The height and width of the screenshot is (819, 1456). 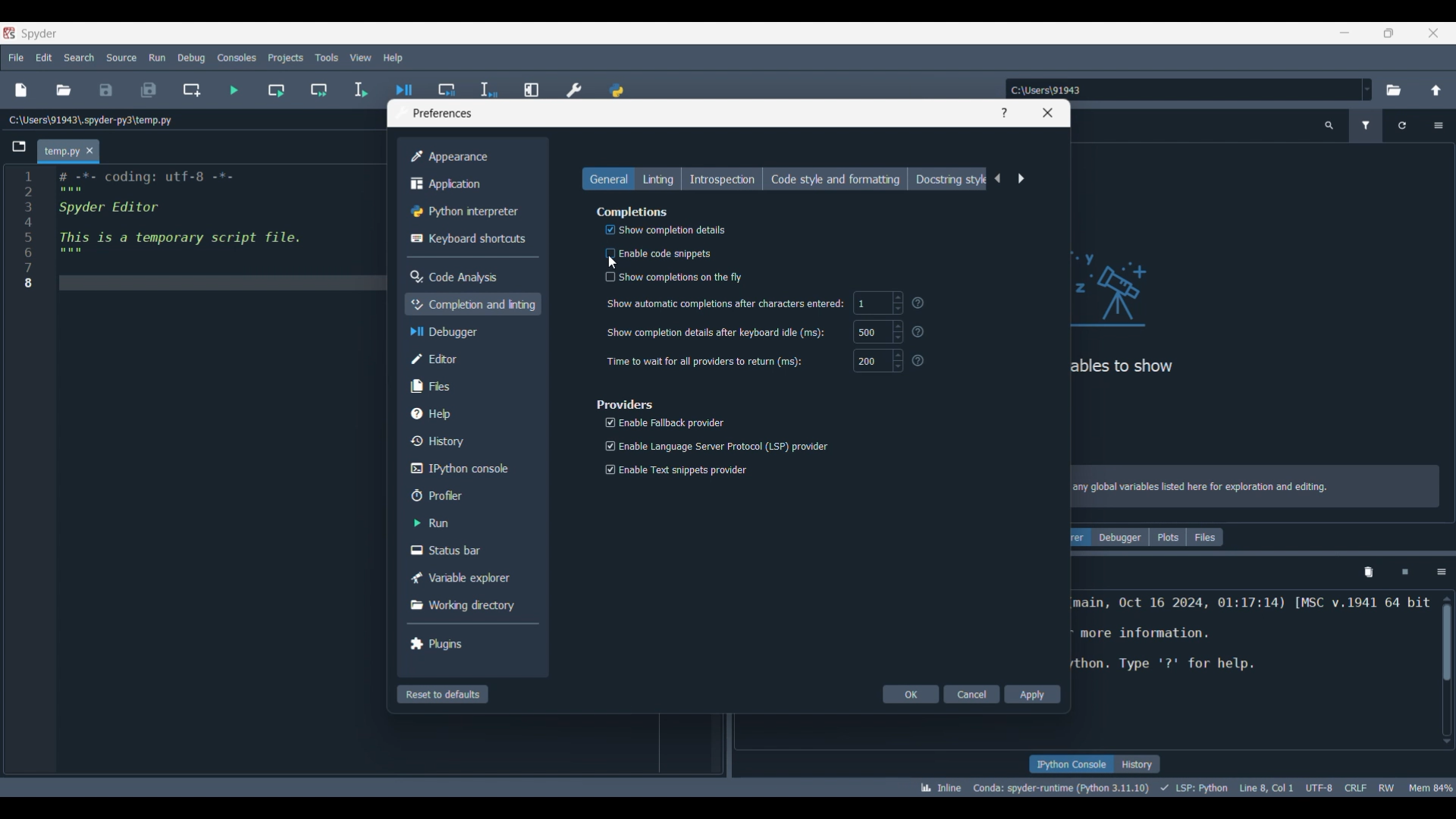 What do you see at coordinates (469, 549) in the screenshot?
I see `Status bar` at bounding box center [469, 549].